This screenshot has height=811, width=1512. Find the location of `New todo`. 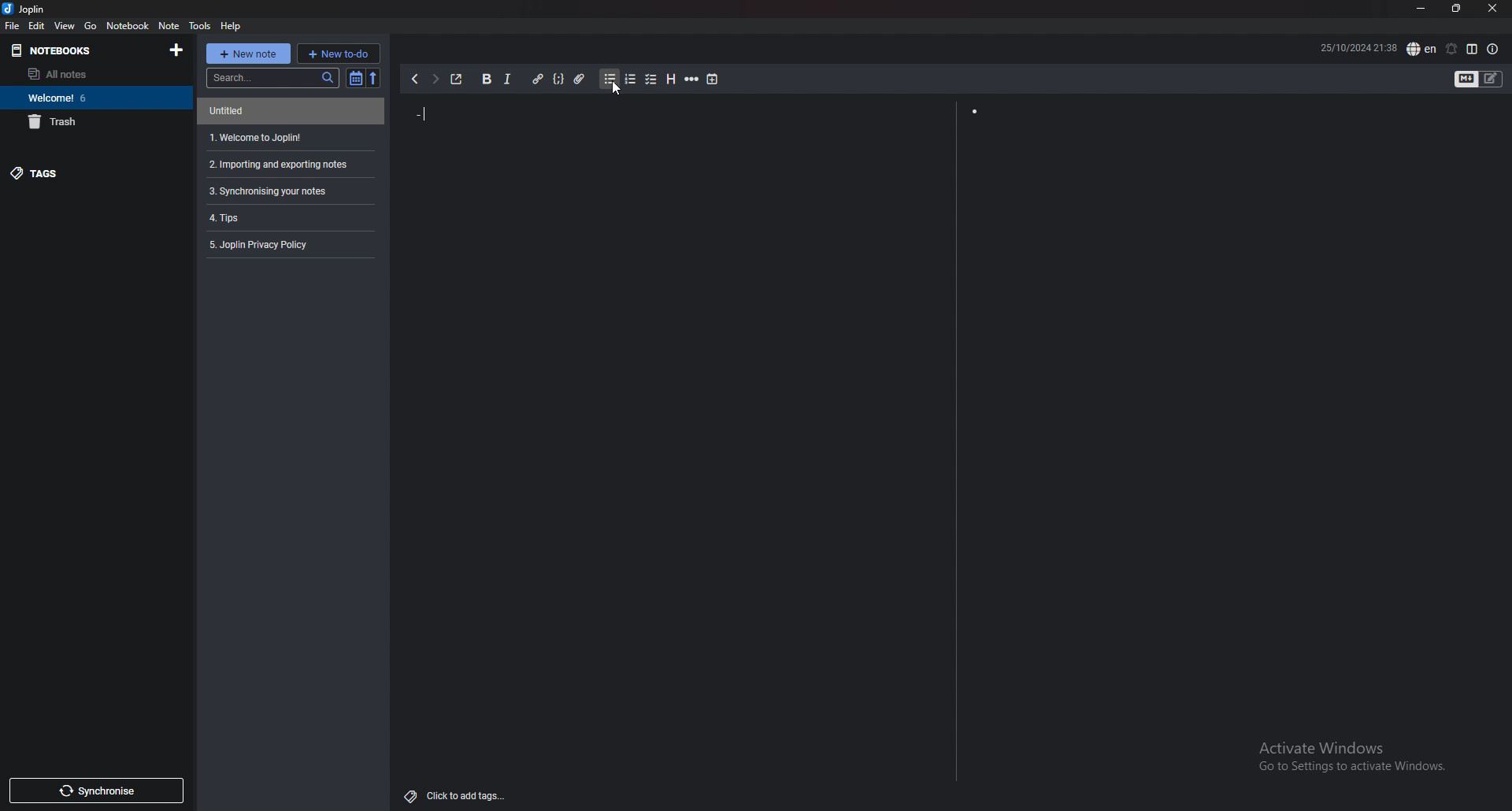

New todo is located at coordinates (339, 53).